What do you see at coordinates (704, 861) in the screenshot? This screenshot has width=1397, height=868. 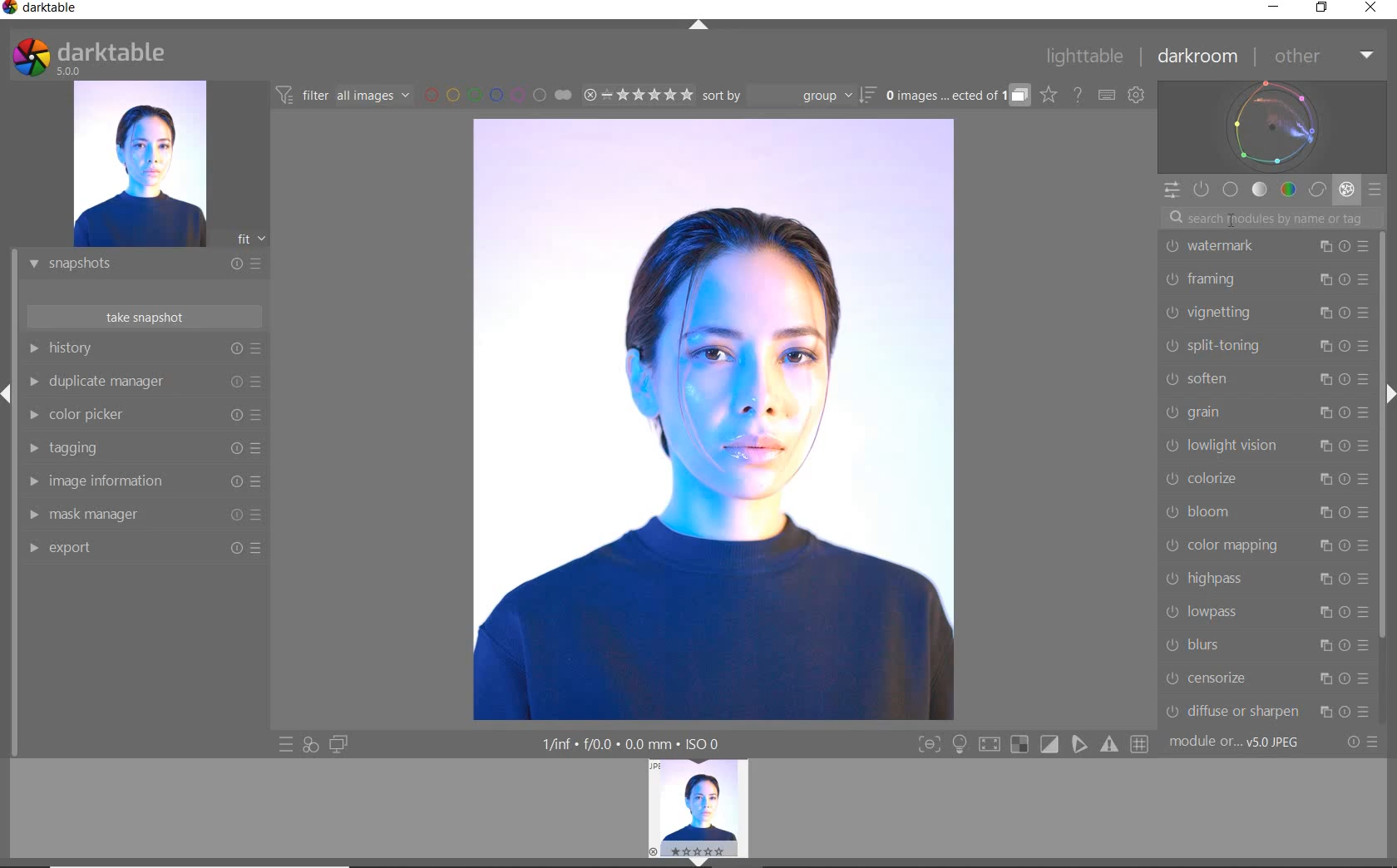 I see `EXPAND/COLLAPSE` at bounding box center [704, 861].